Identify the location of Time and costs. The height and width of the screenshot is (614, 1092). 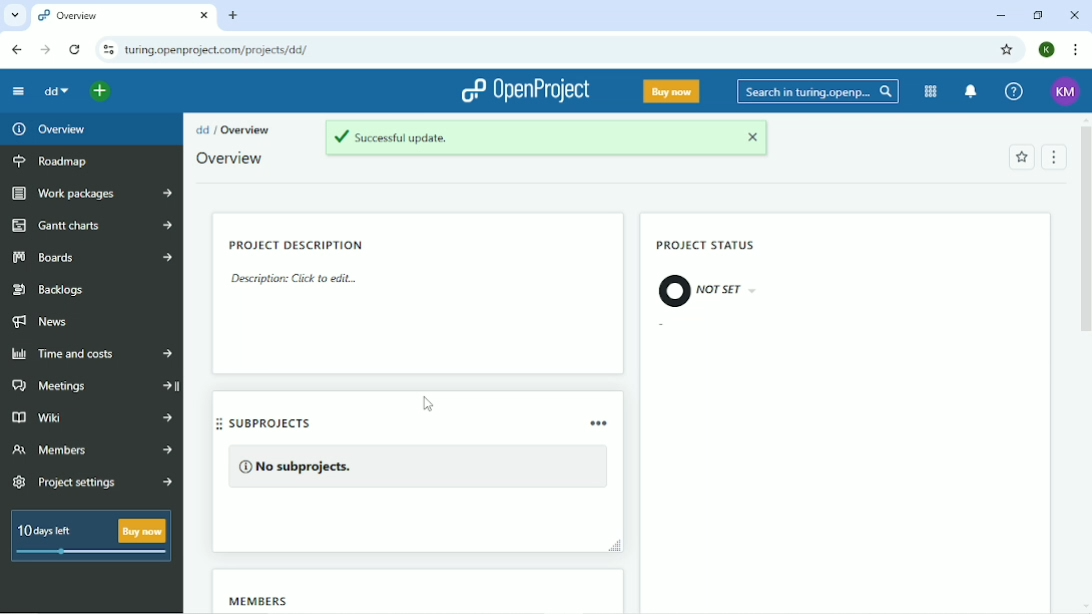
(93, 354).